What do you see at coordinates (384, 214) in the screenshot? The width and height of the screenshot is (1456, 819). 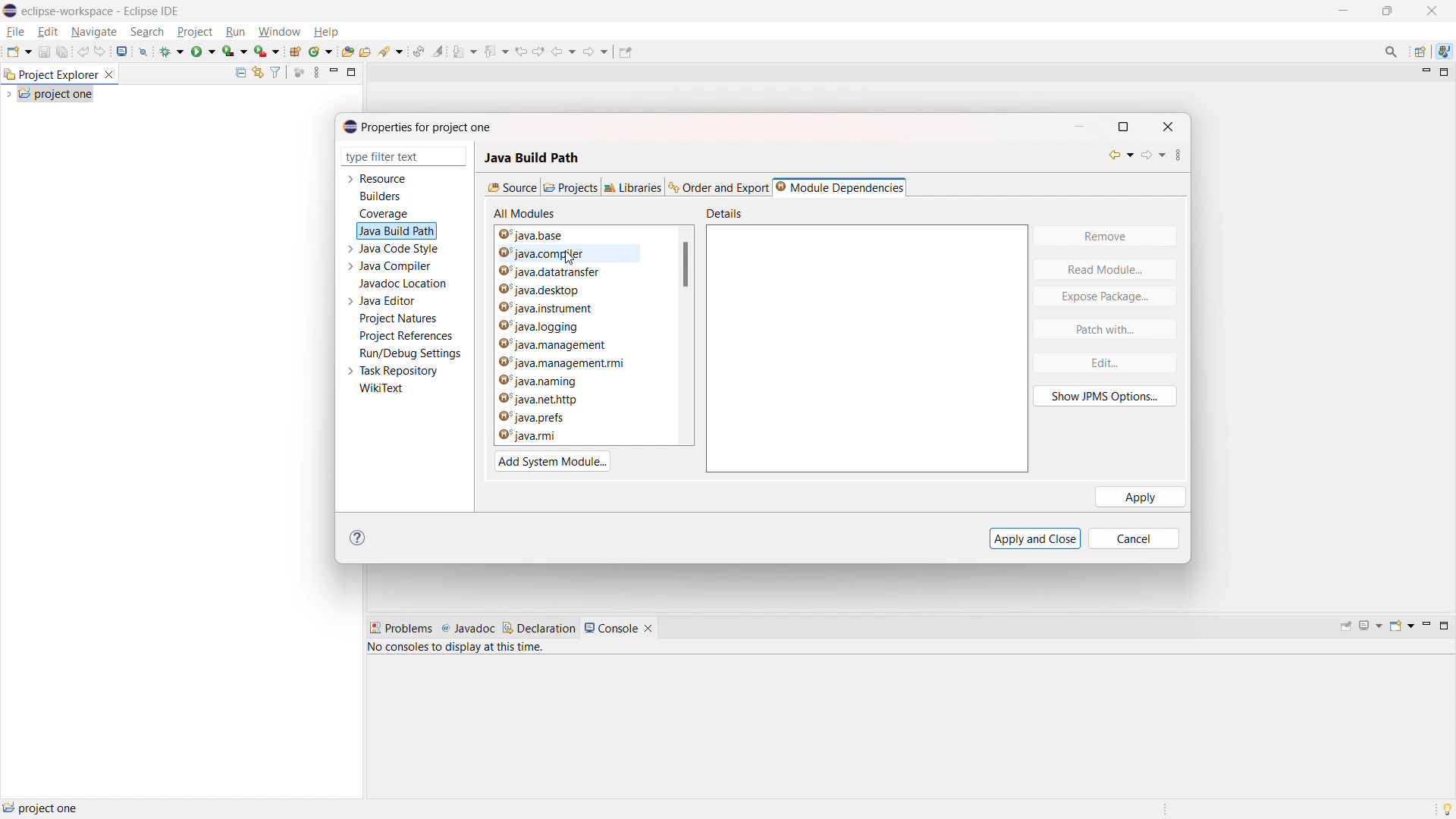 I see `coverage` at bounding box center [384, 214].